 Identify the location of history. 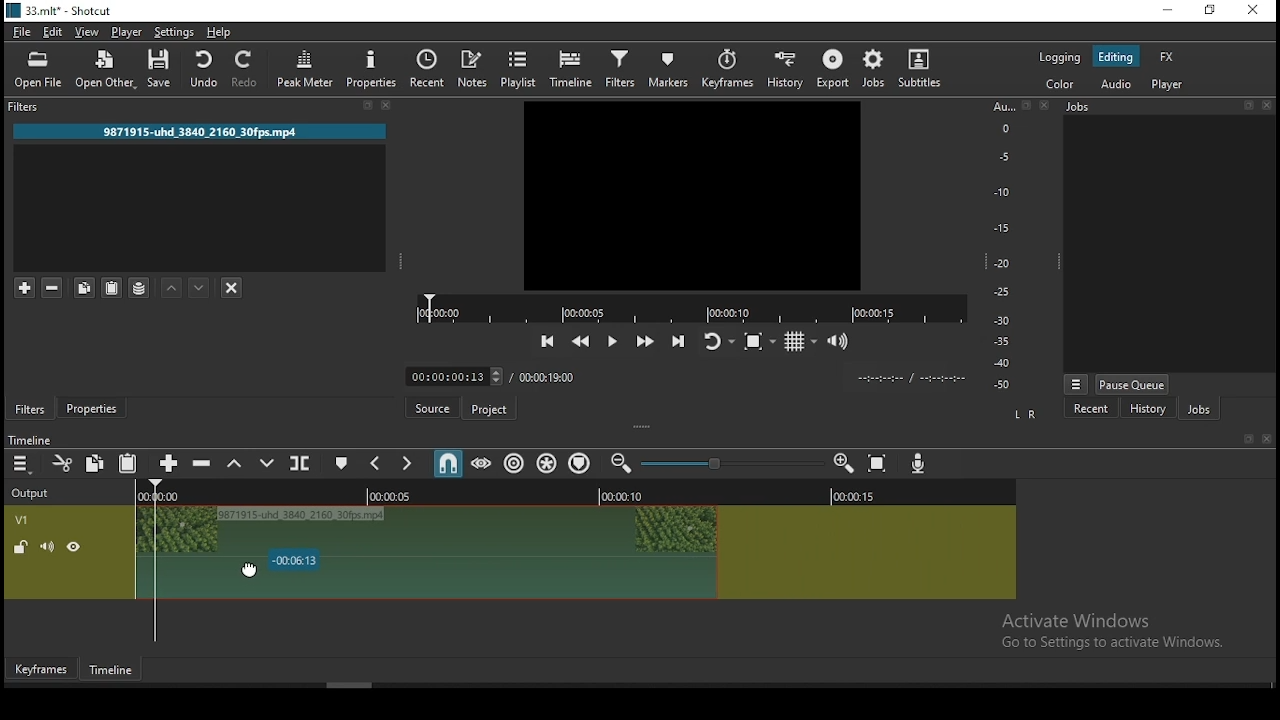
(1146, 408).